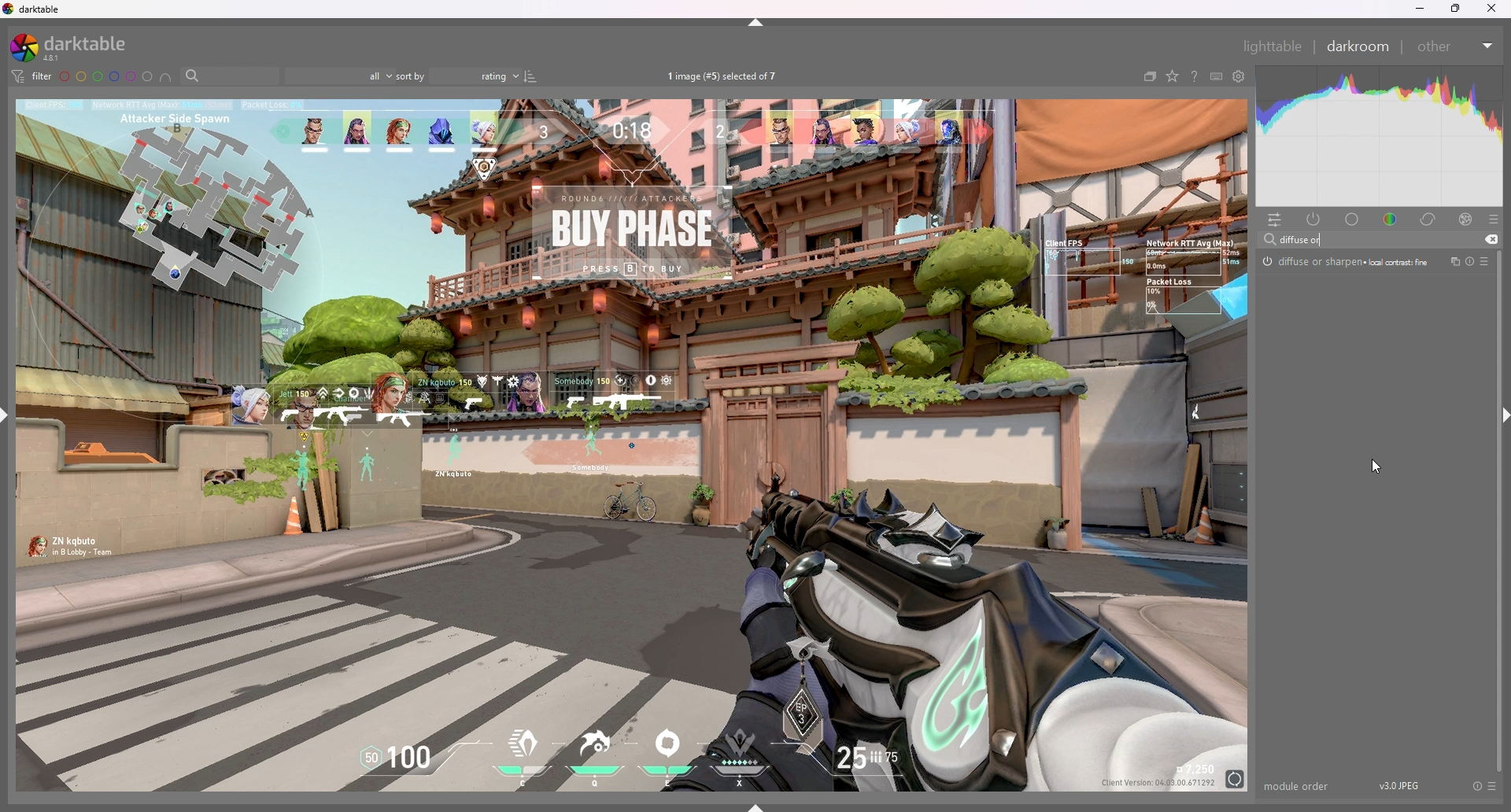  I want to click on reset, so click(1469, 263).